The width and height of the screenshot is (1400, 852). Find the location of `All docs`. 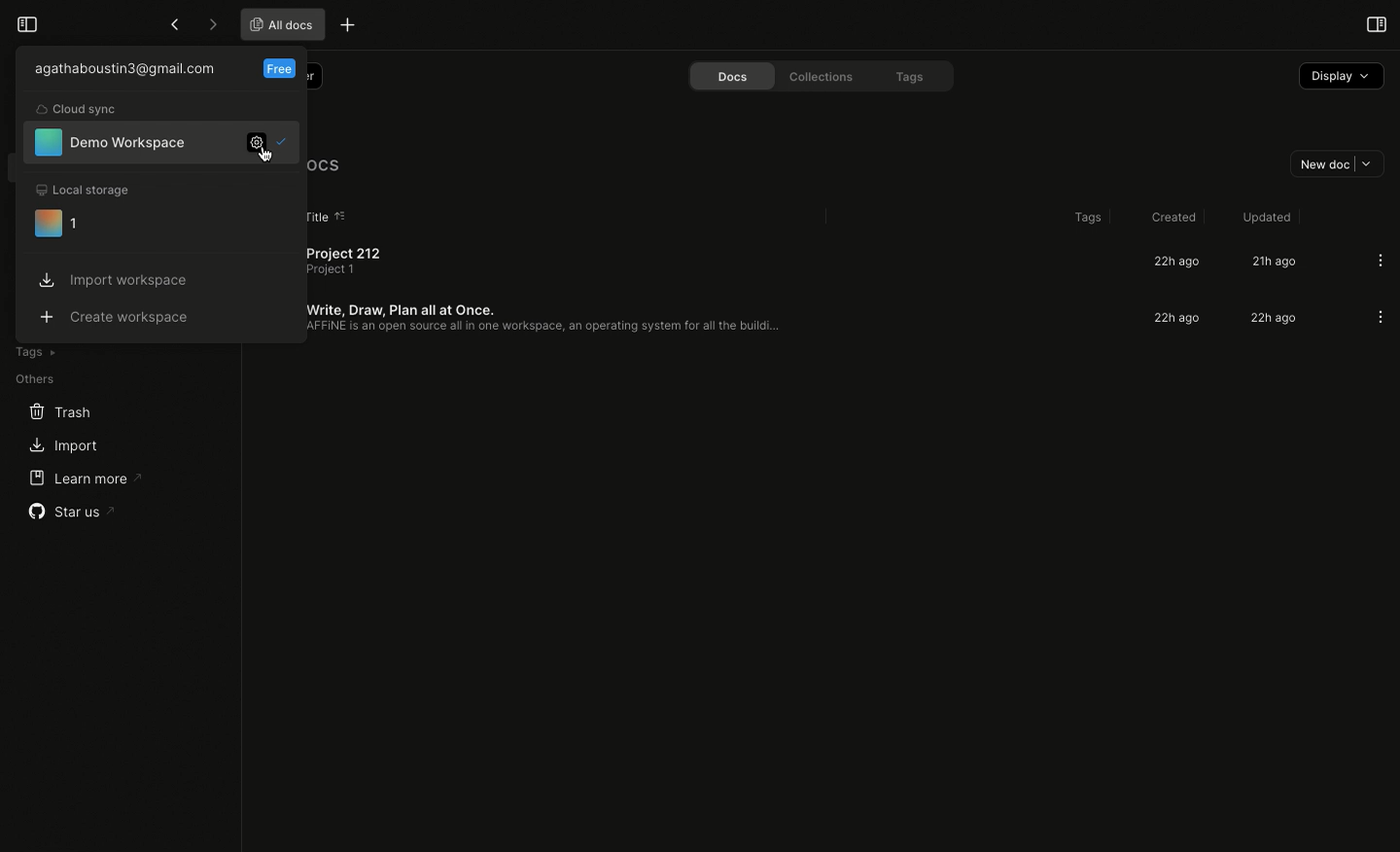

All docs is located at coordinates (334, 166).